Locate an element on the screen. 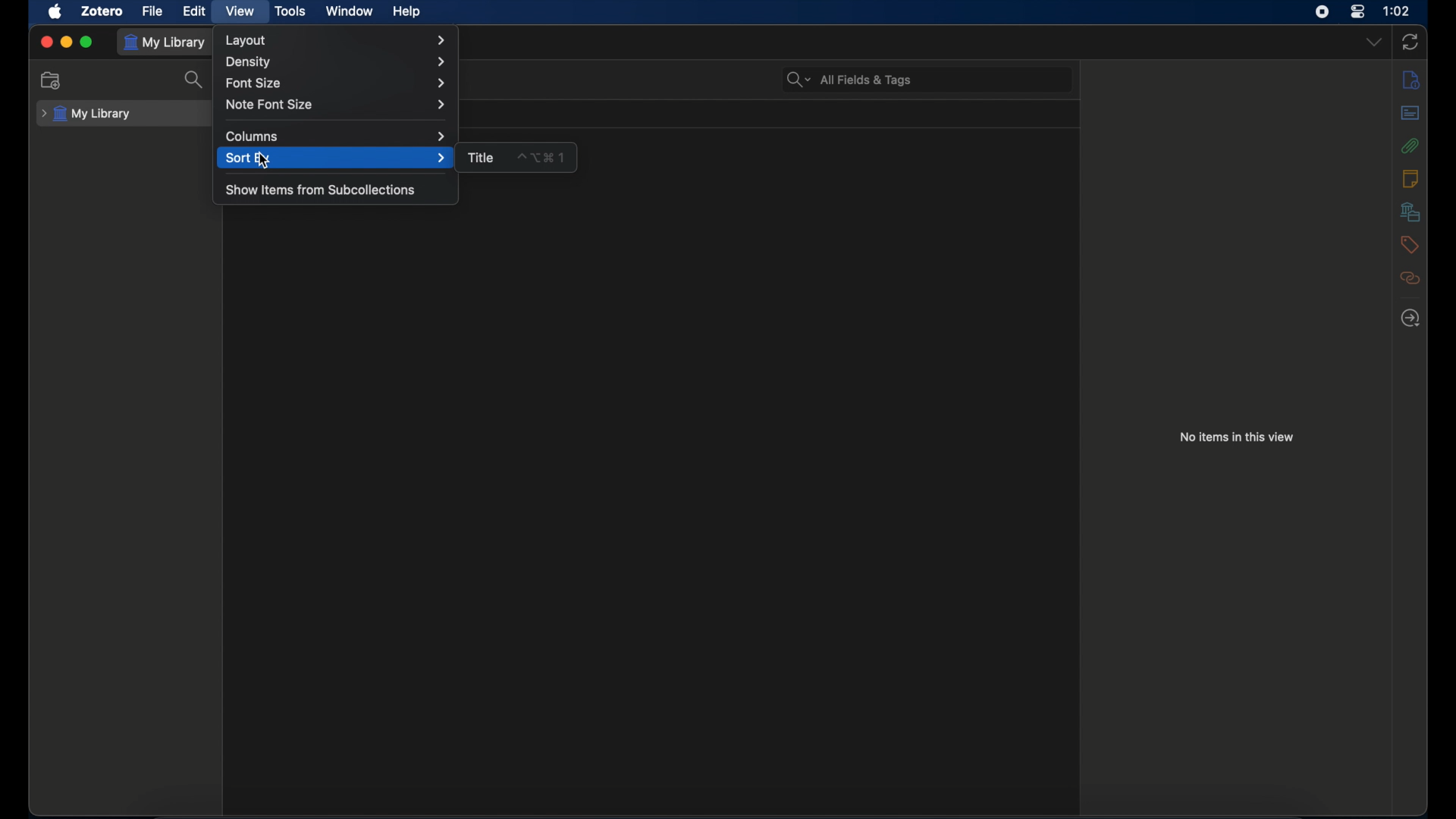 The height and width of the screenshot is (819, 1456). my library is located at coordinates (165, 43).